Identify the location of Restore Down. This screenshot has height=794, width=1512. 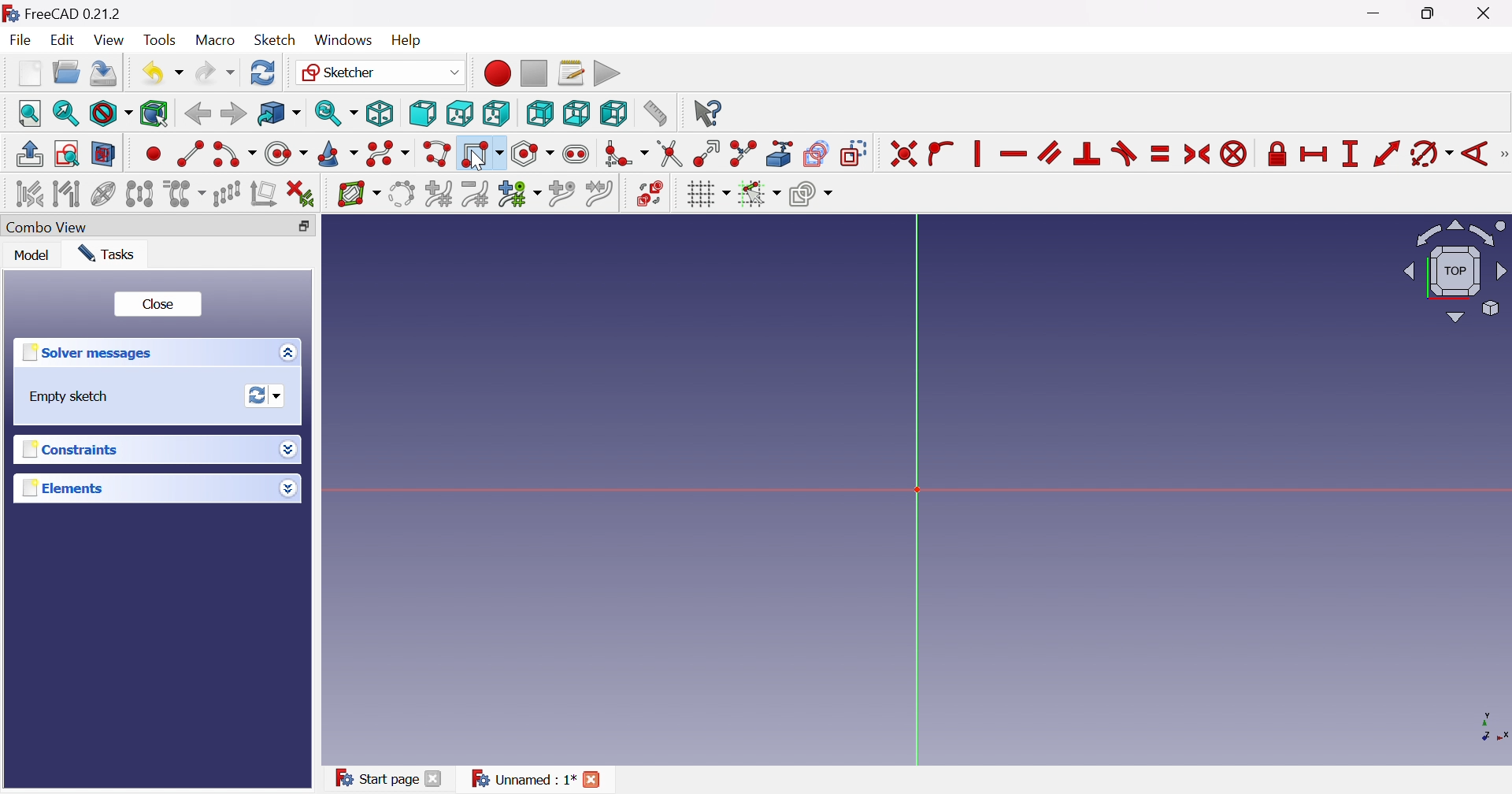
(1430, 15).